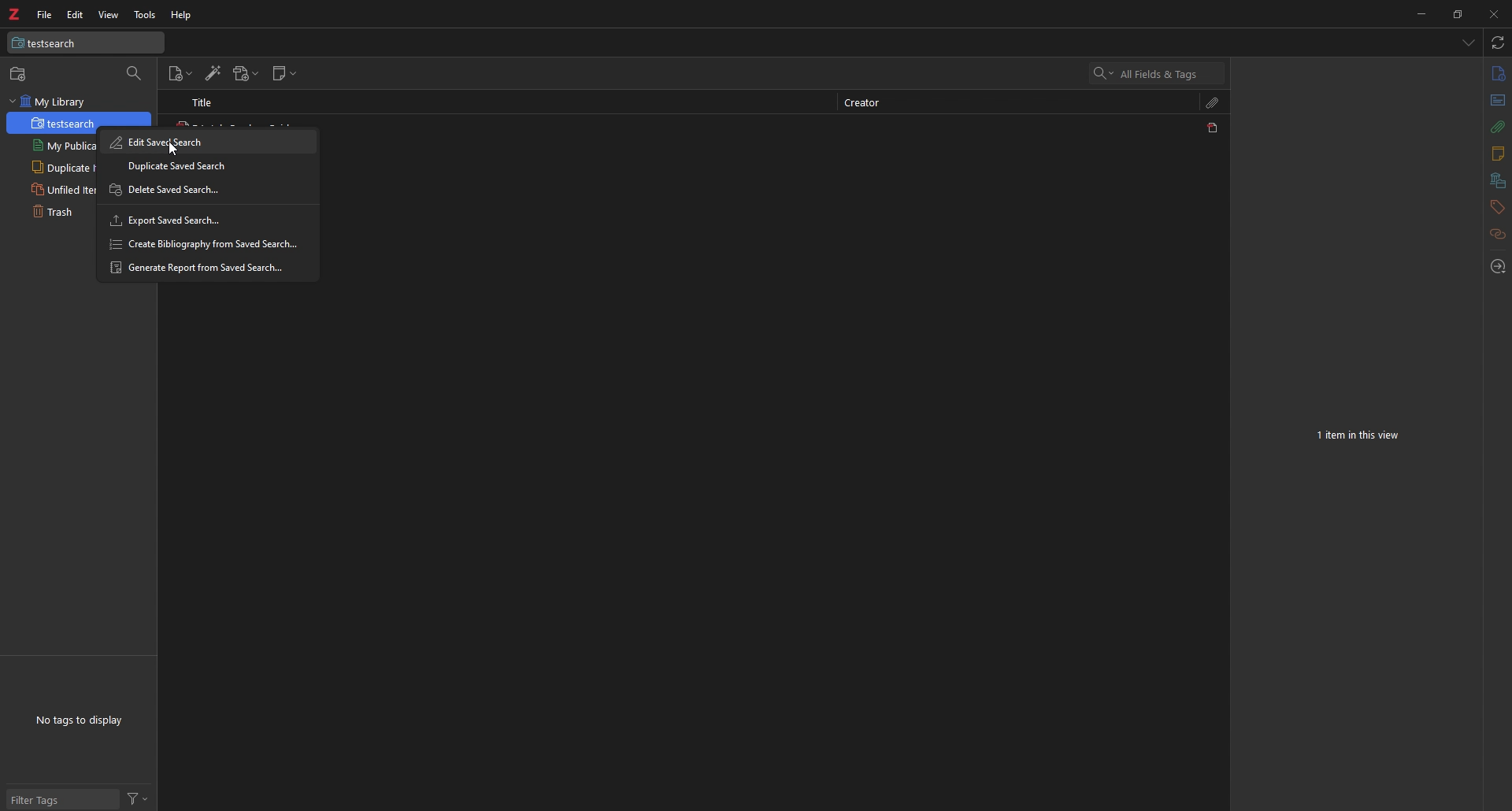 This screenshot has width=1512, height=811. Describe the element at coordinates (79, 720) in the screenshot. I see `No tags to display` at that location.